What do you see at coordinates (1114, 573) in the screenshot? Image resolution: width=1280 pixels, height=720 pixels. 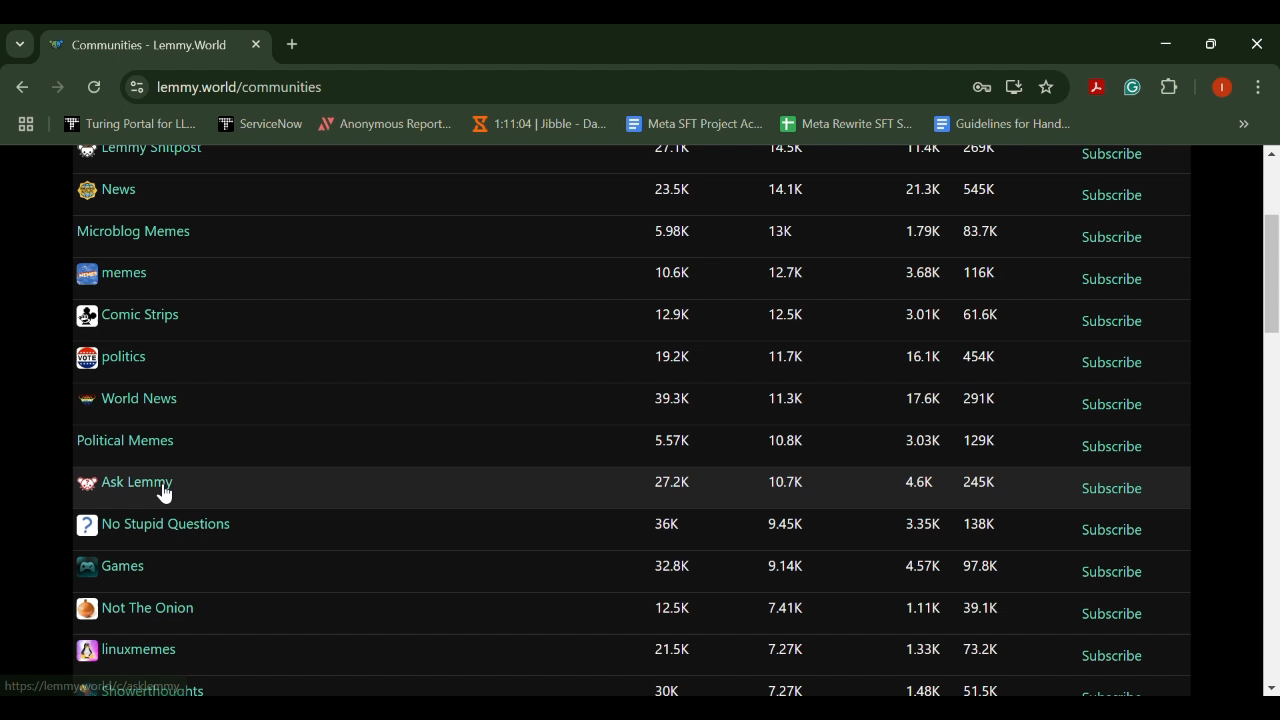 I see `Subscribe` at bounding box center [1114, 573].